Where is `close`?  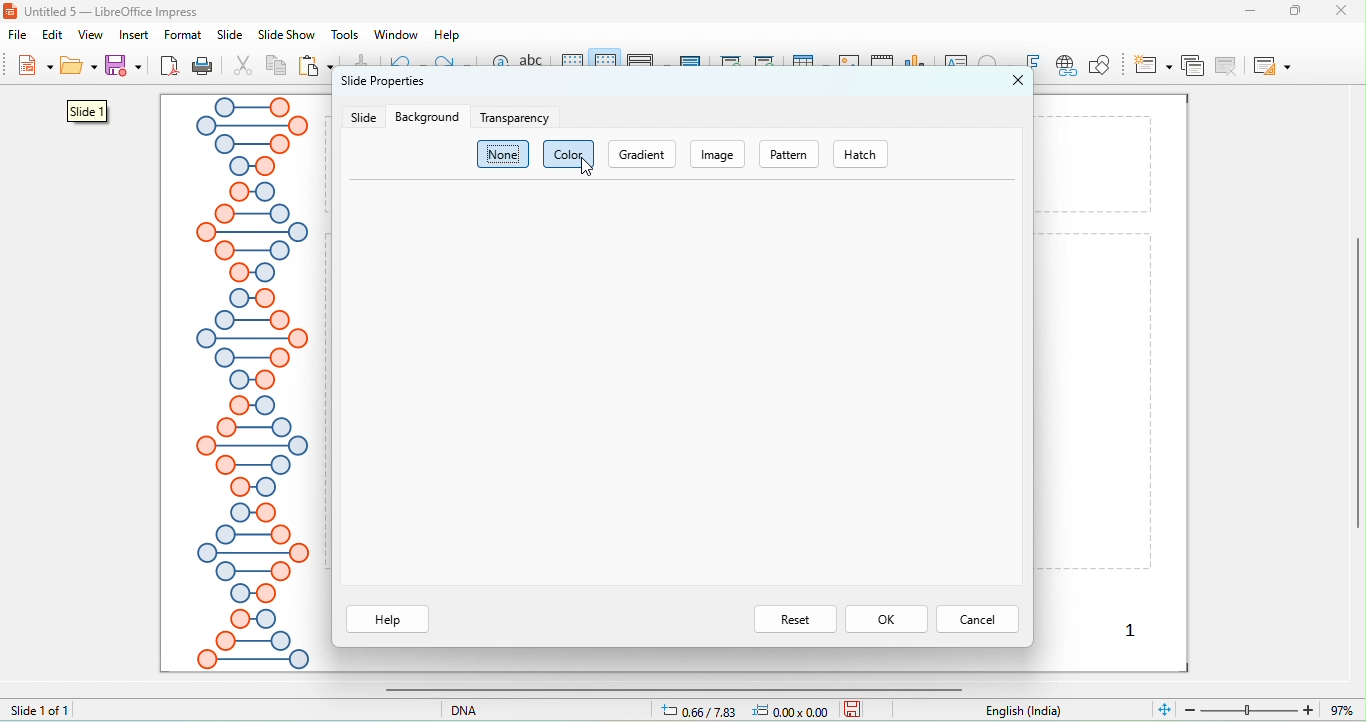 close is located at coordinates (1347, 10).